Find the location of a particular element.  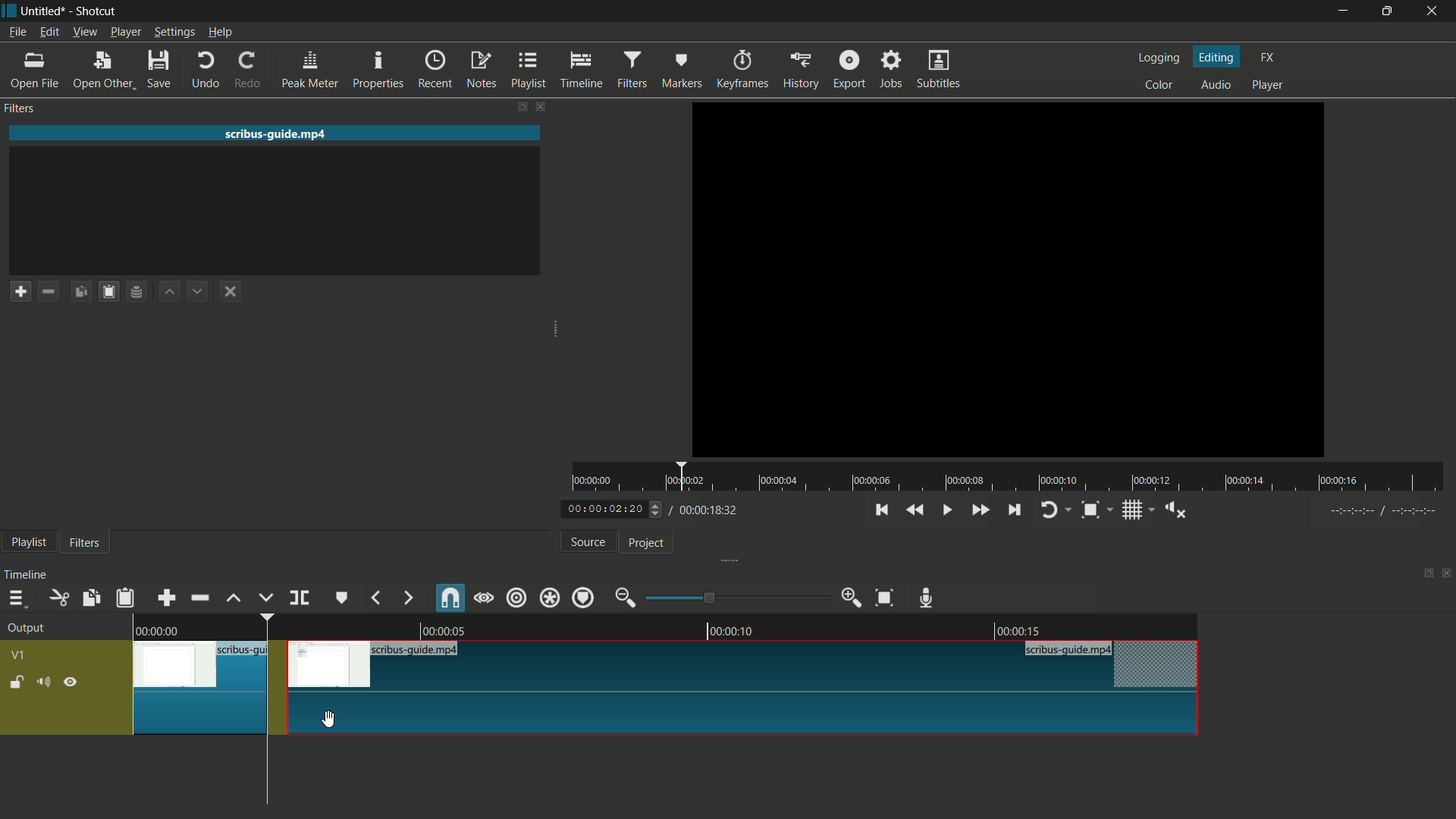

ripple all tracks is located at coordinates (549, 598).